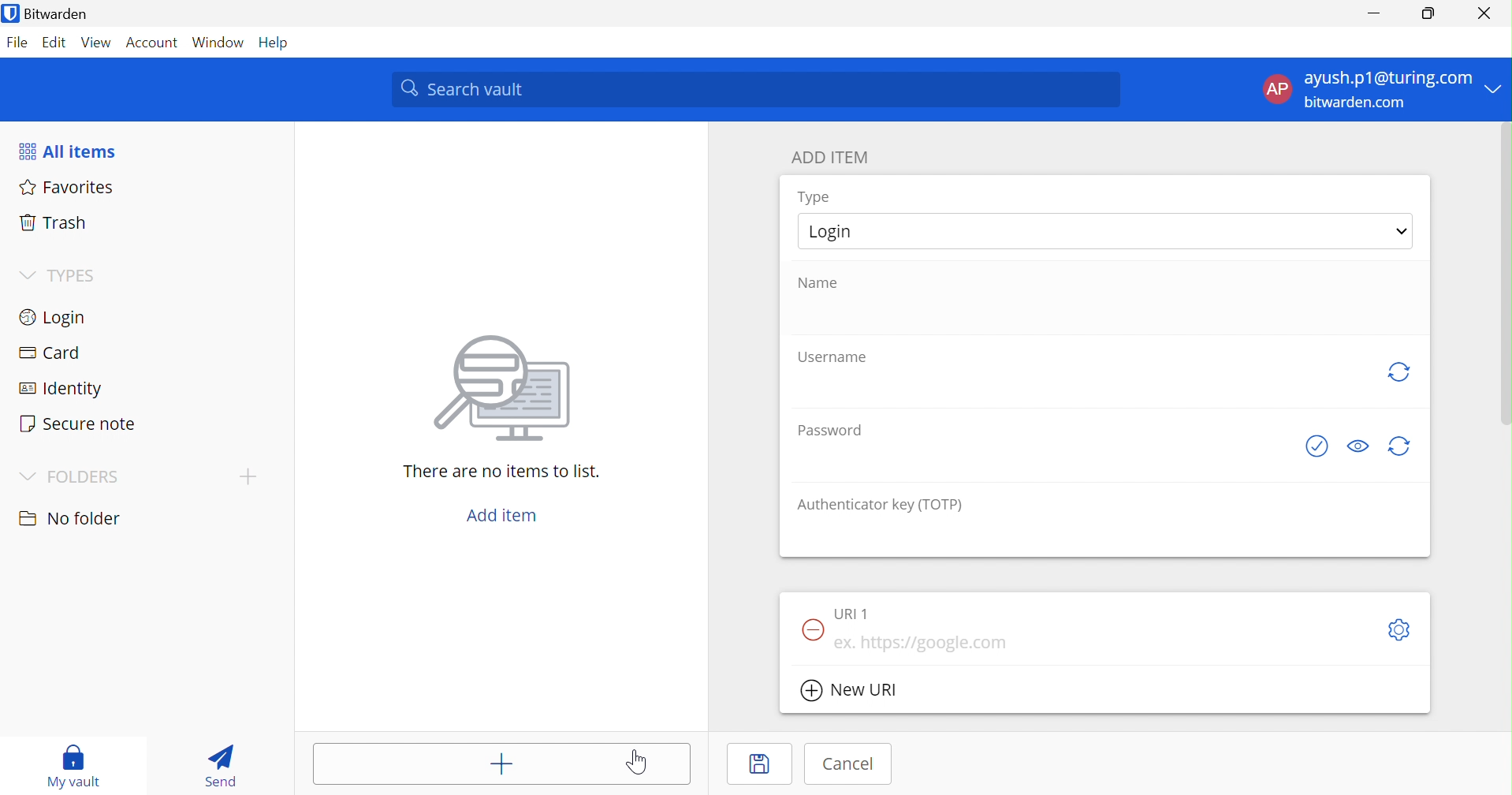 The image size is (1512, 795). I want to click on New URL, so click(859, 692).